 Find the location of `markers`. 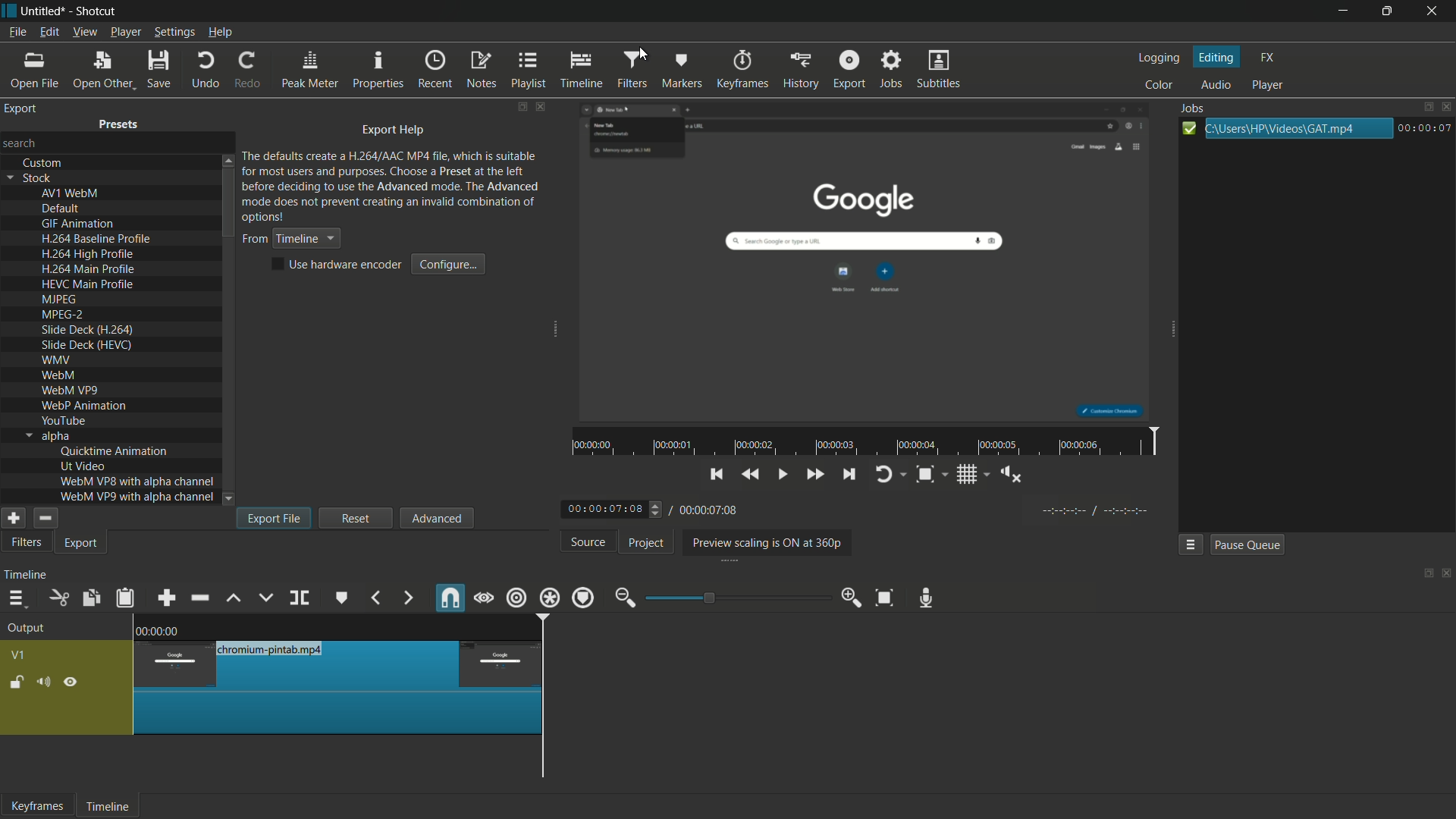

markers is located at coordinates (680, 71).